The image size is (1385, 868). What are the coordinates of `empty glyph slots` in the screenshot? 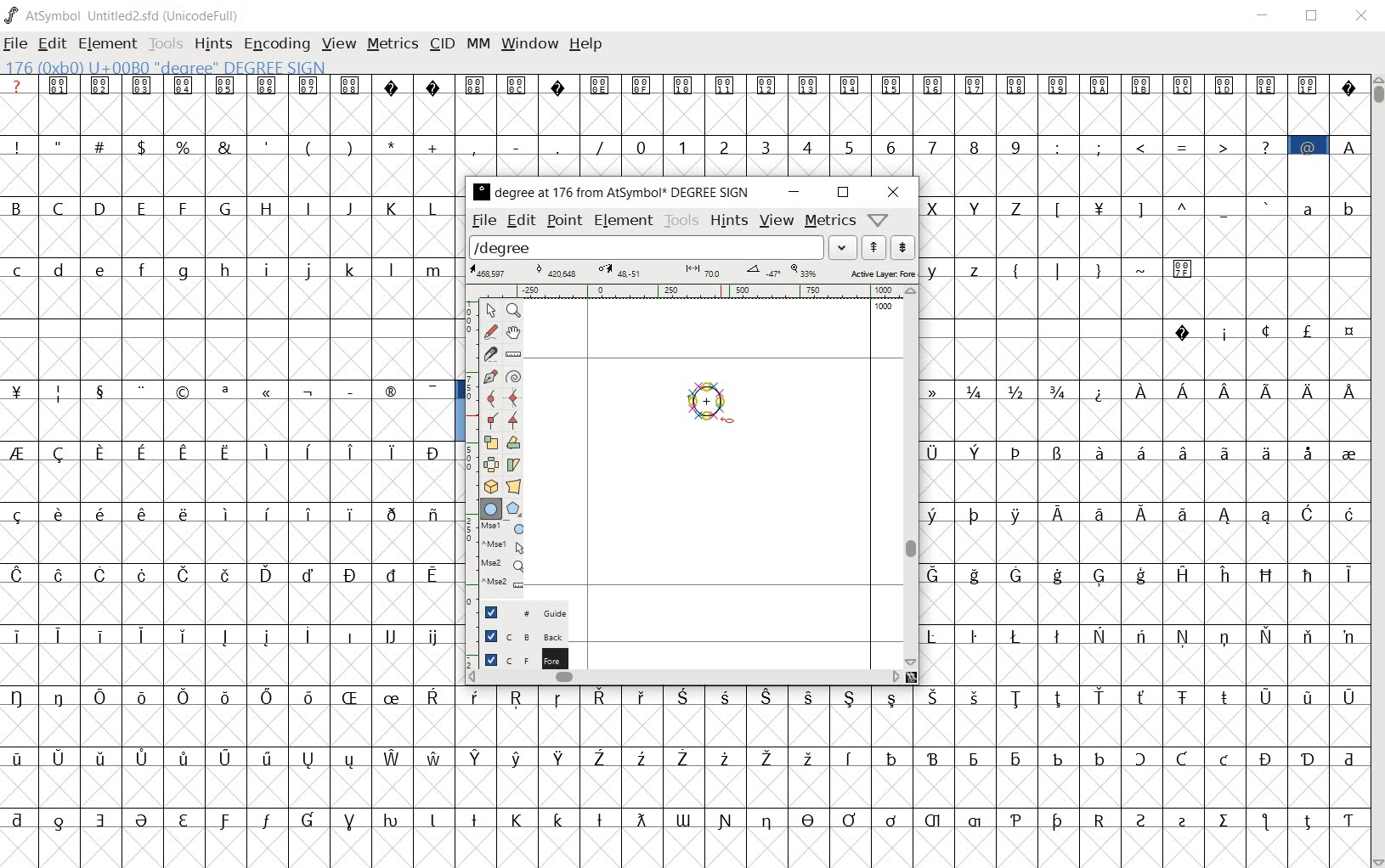 It's located at (1144, 542).